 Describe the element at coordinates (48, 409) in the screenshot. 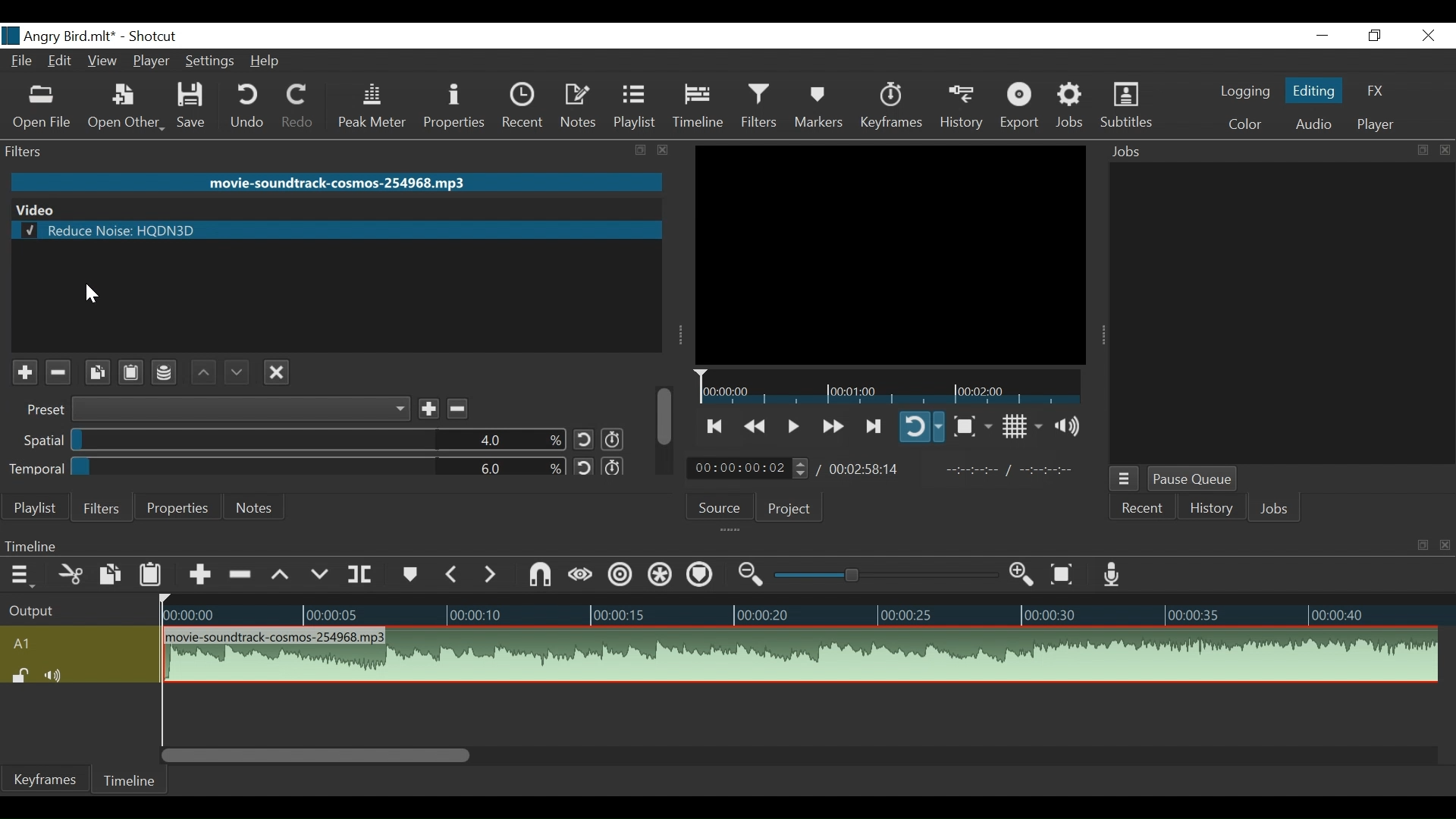

I see `Preset` at that location.